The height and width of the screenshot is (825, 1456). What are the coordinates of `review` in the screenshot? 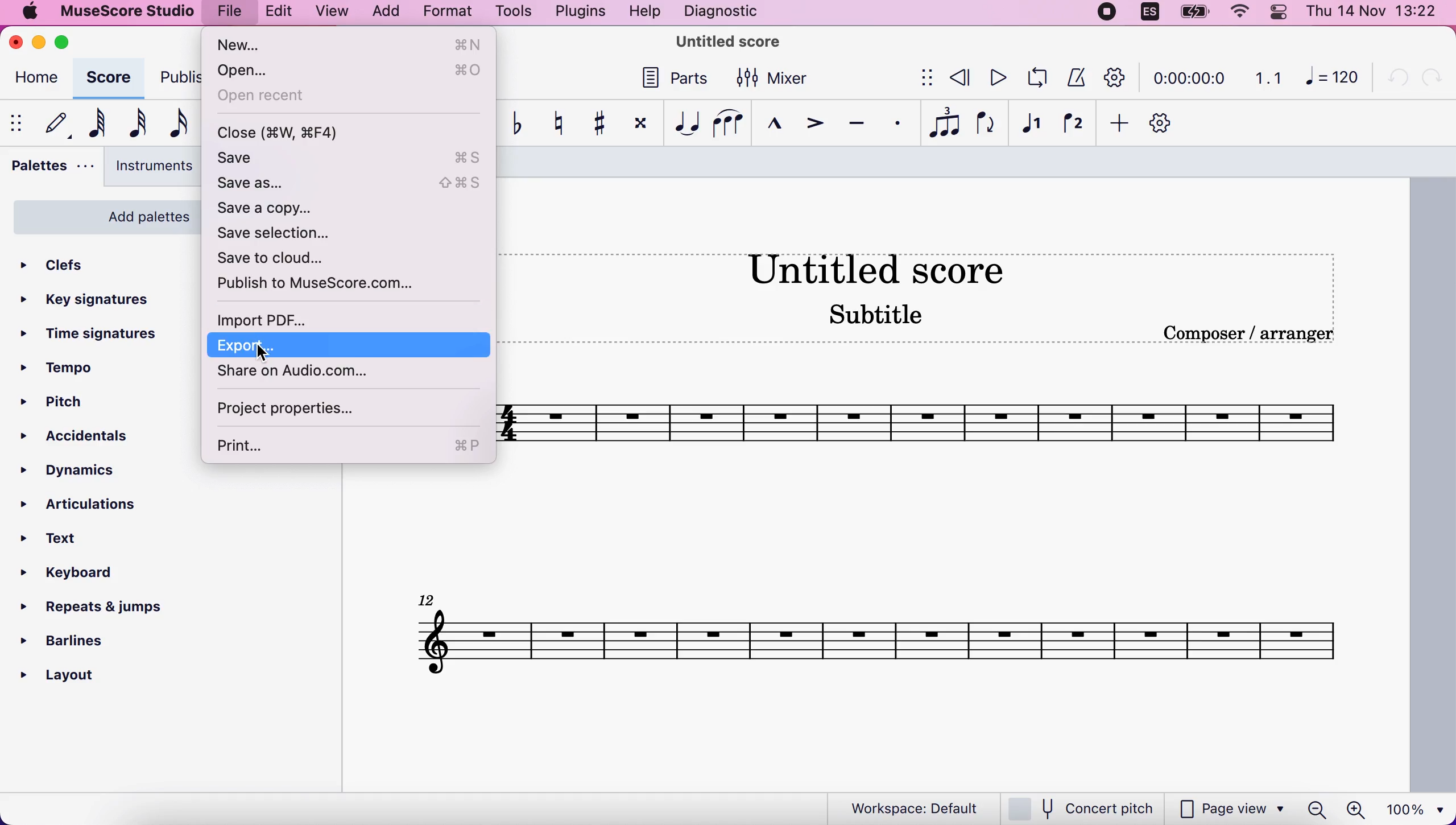 It's located at (958, 79).